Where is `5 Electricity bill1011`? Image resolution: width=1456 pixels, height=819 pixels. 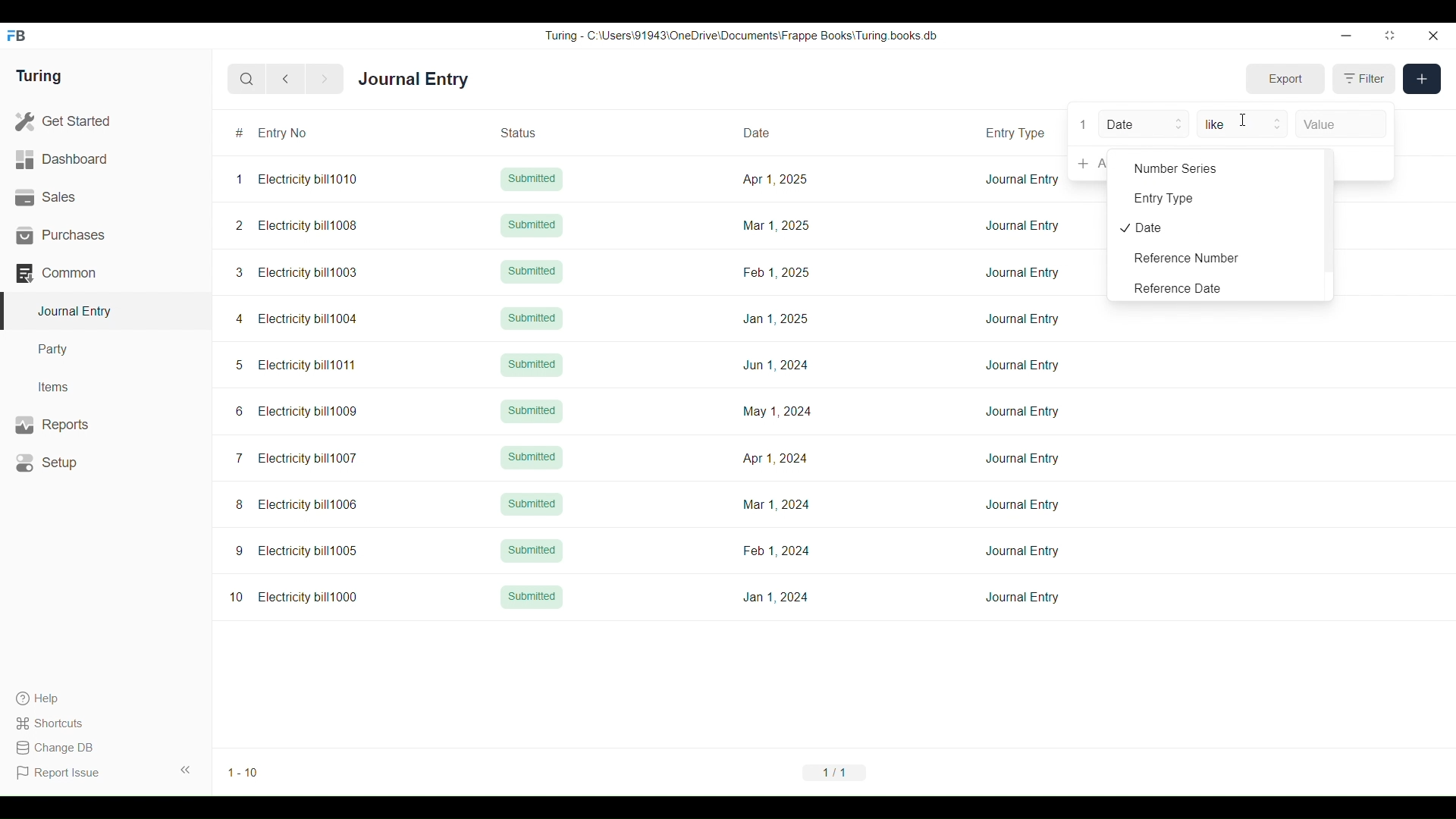 5 Electricity bill1011 is located at coordinates (295, 366).